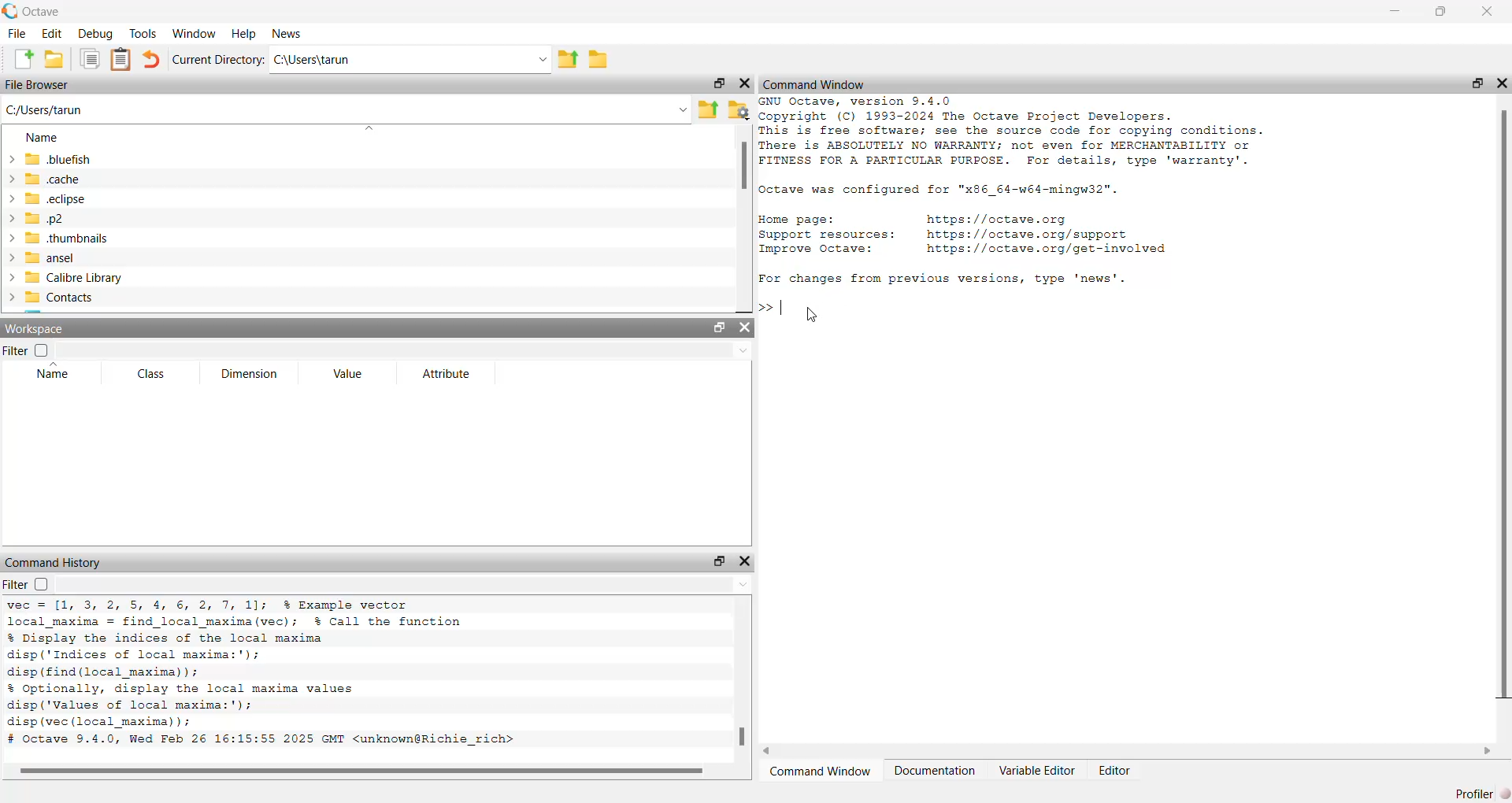 This screenshot has height=803, width=1512. What do you see at coordinates (744, 83) in the screenshot?
I see `Hide Widget` at bounding box center [744, 83].